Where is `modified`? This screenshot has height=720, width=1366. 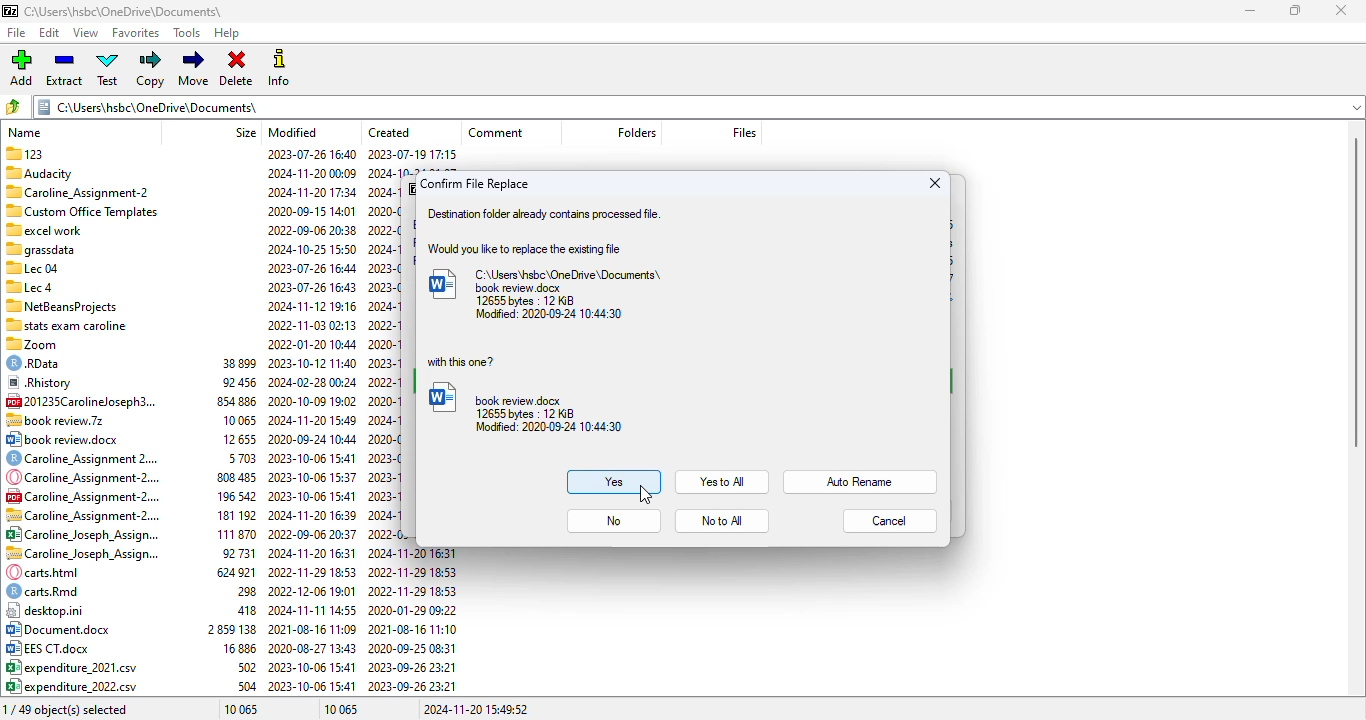 modified is located at coordinates (292, 132).